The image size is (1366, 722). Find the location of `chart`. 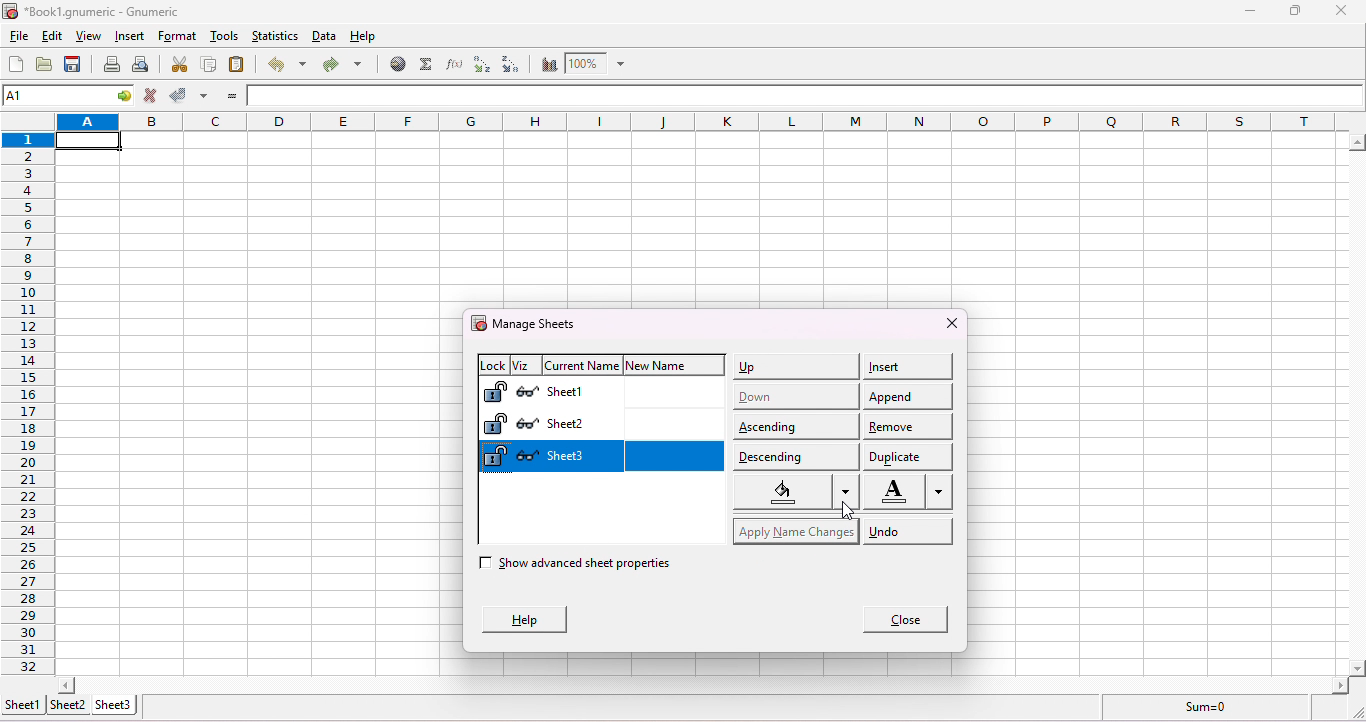

chart is located at coordinates (547, 63).